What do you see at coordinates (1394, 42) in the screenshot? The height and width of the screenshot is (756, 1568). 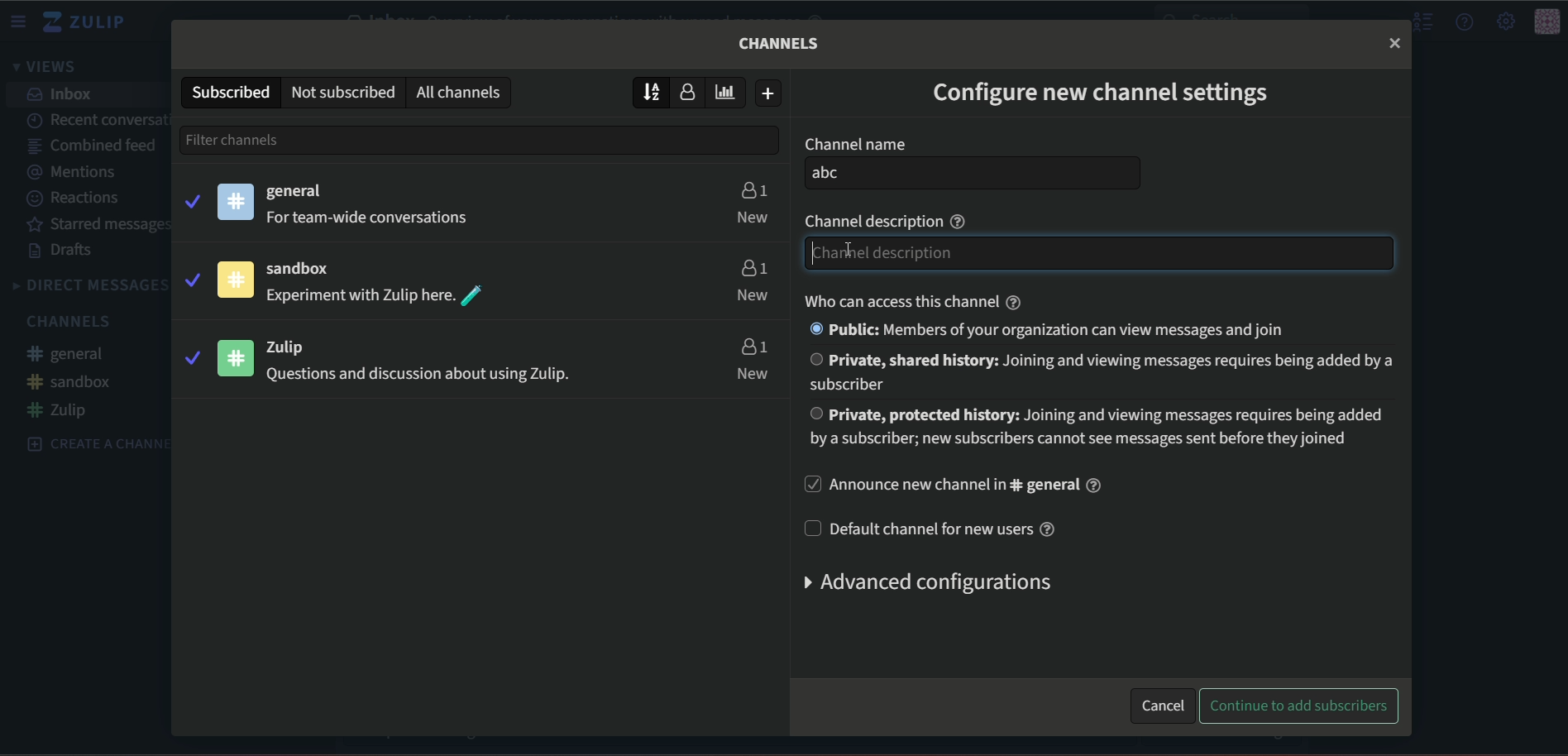 I see `close` at bounding box center [1394, 42].